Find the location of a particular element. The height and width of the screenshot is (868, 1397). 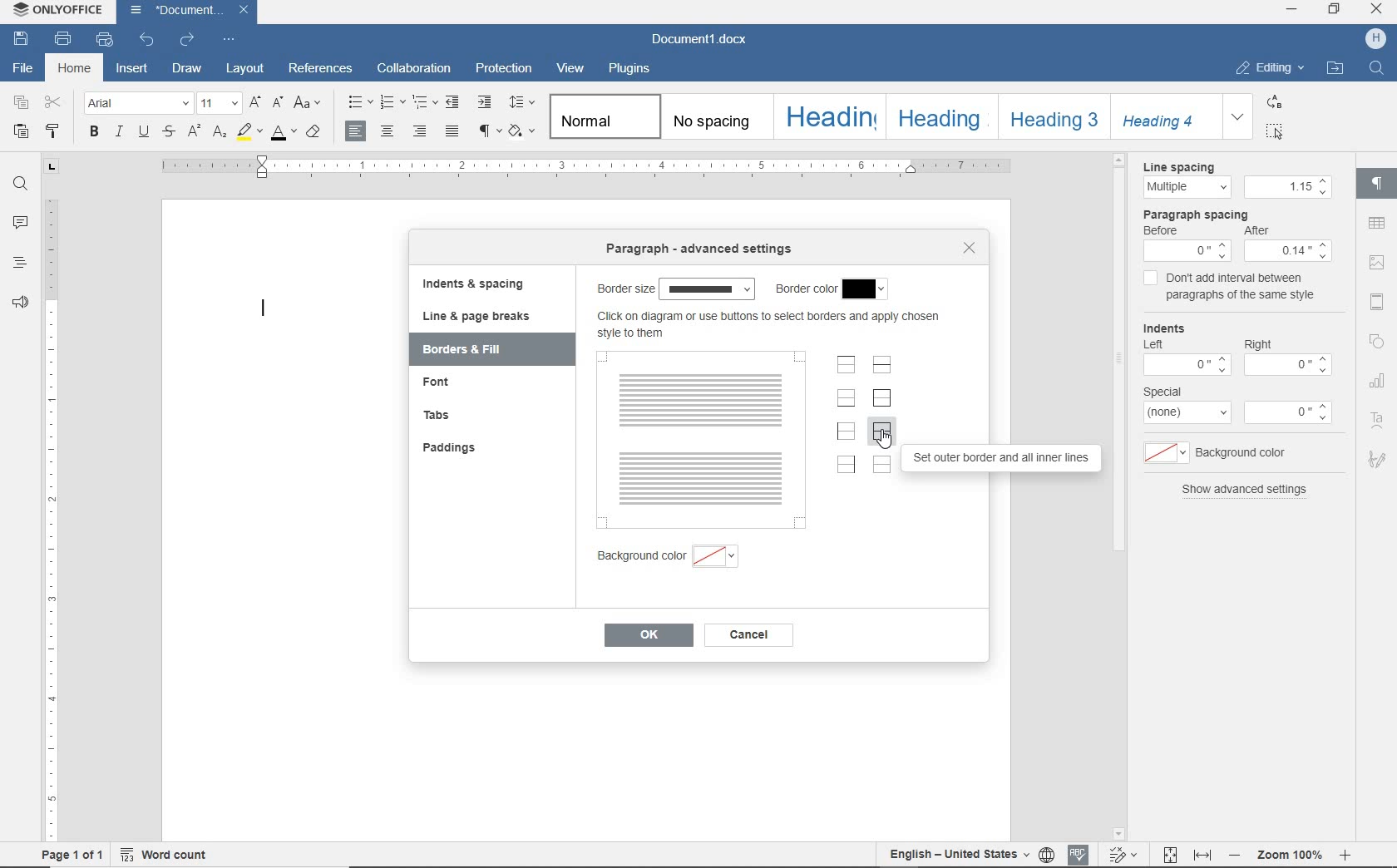

special: none-0 is located at coordinates (1237, 406).